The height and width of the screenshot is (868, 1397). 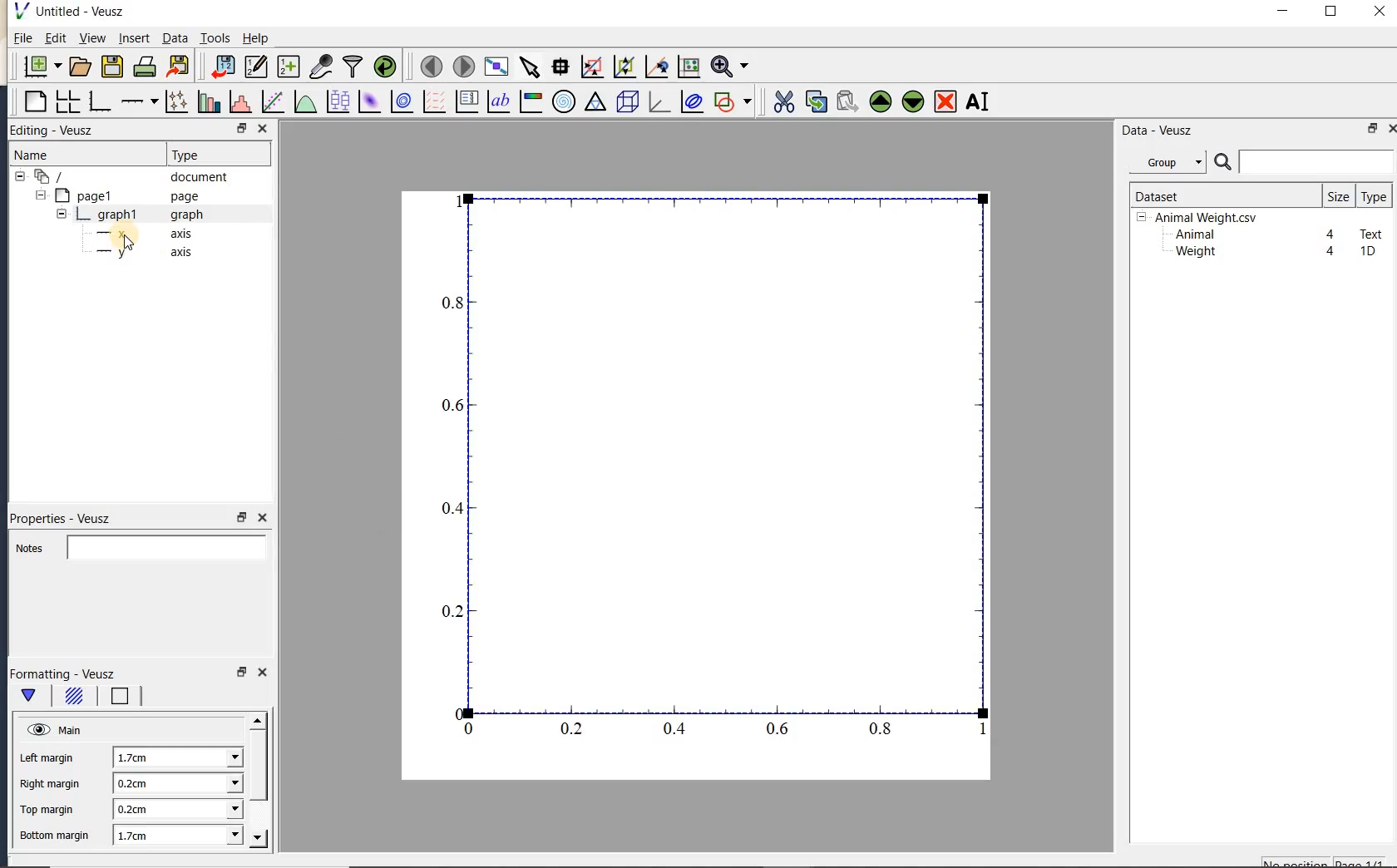 What do you see at coordinates (847, 103) in the screenshot?
I see `paste widget from the clipboard` at bounding box center [847, 103].